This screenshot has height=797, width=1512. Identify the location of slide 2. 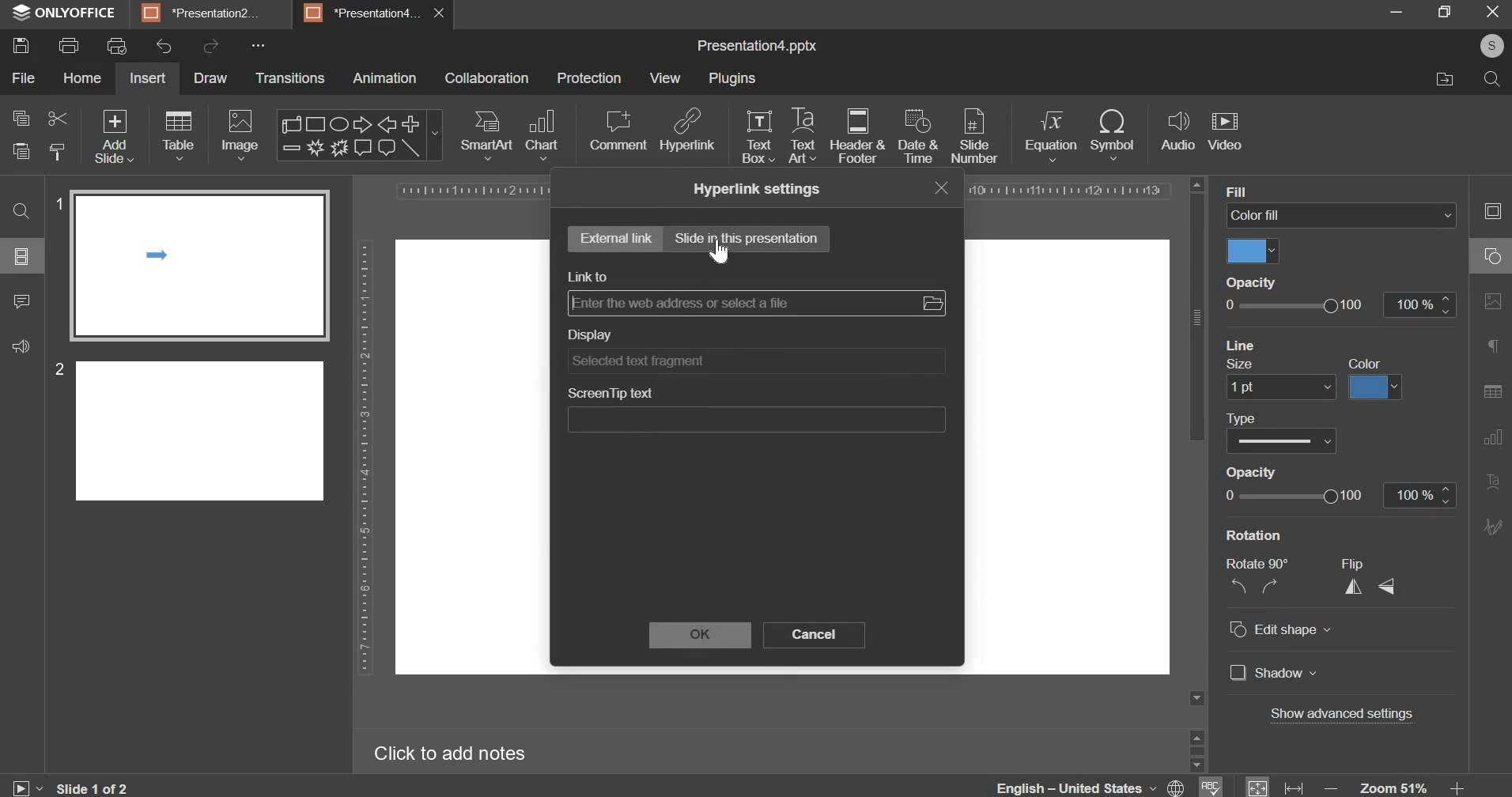
(189, 428).